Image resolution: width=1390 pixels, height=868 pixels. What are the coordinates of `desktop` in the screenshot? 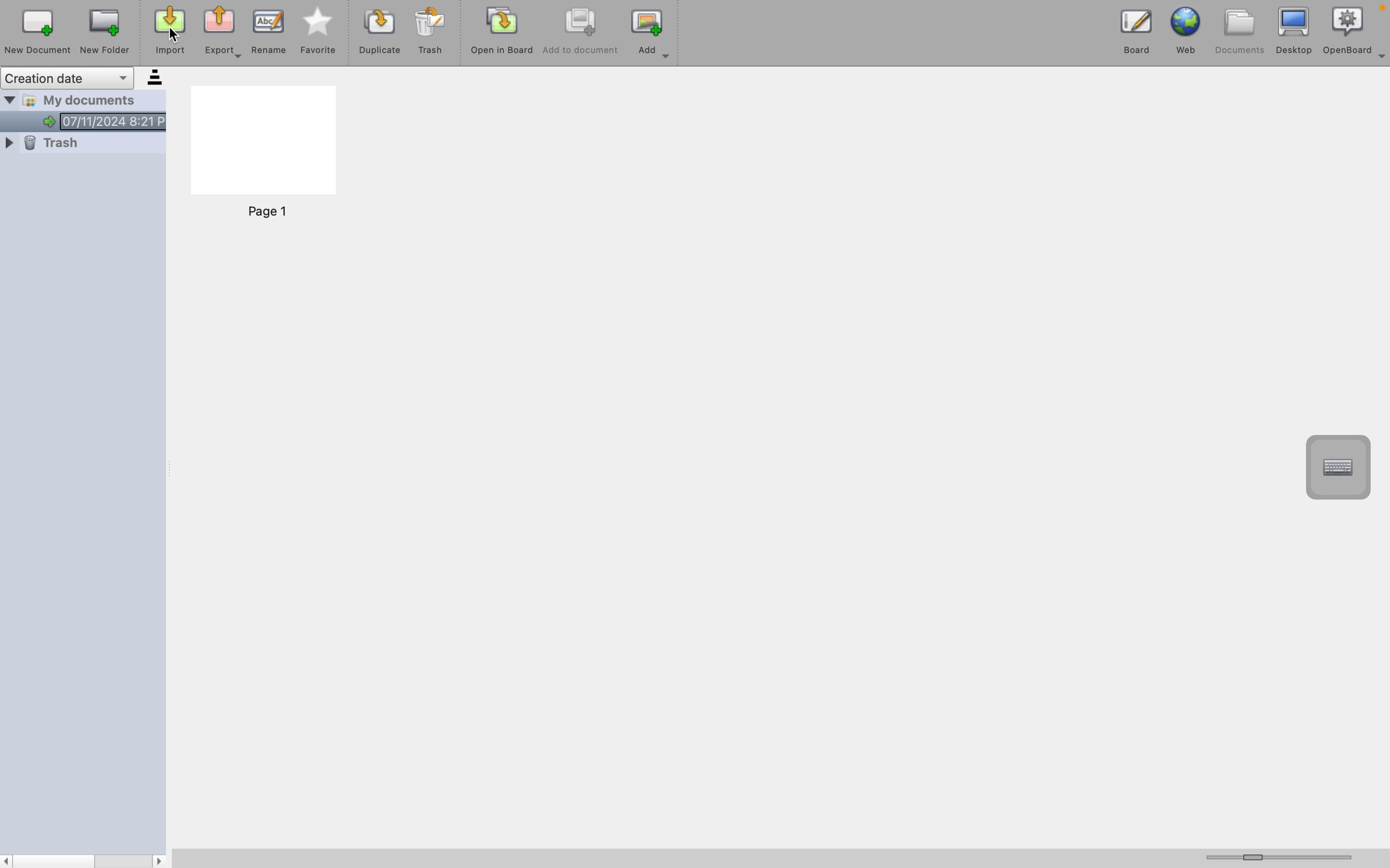 It's located at (1292, 29).